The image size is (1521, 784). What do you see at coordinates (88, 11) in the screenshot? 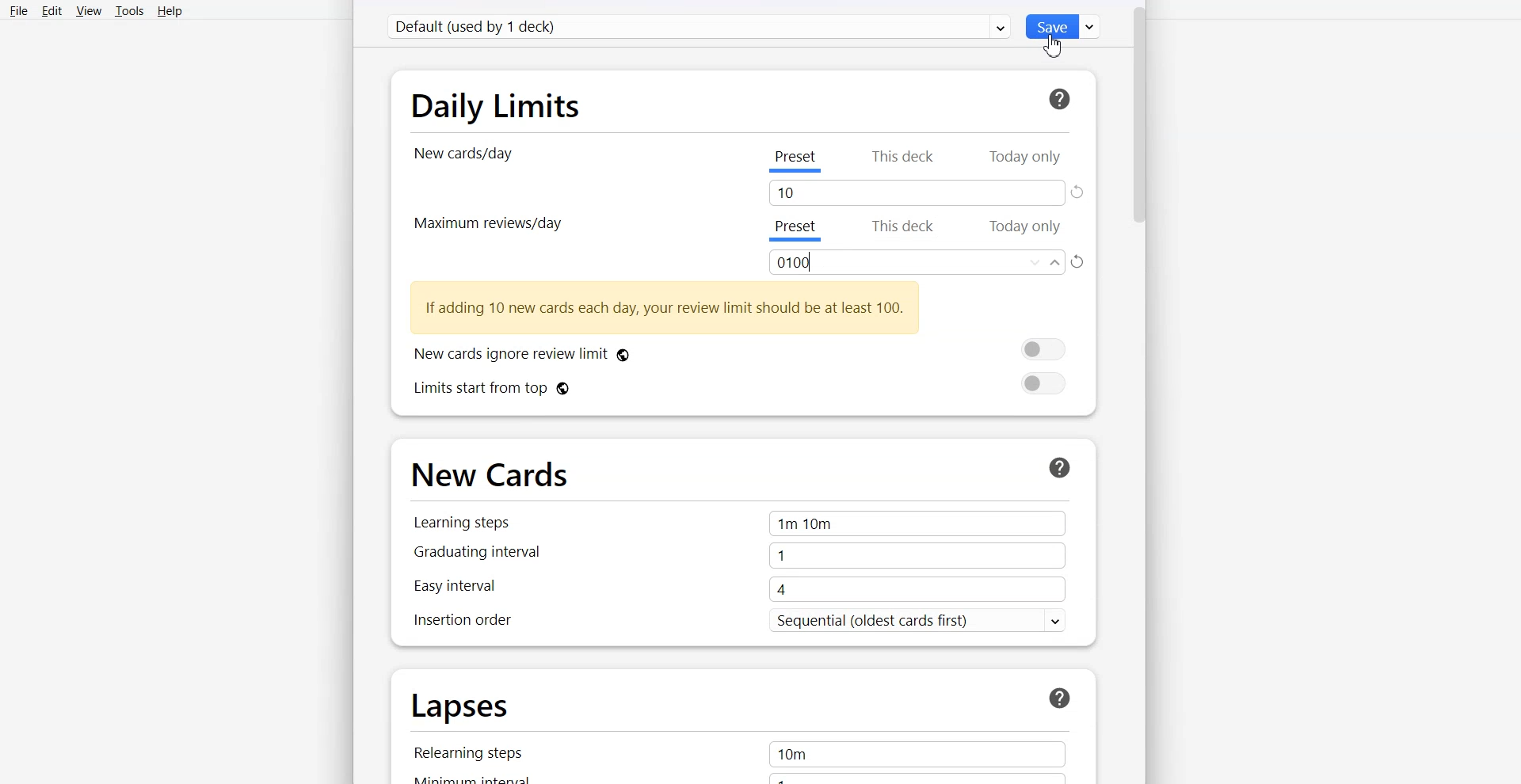
I see `View` at bounding box center [88, 11].